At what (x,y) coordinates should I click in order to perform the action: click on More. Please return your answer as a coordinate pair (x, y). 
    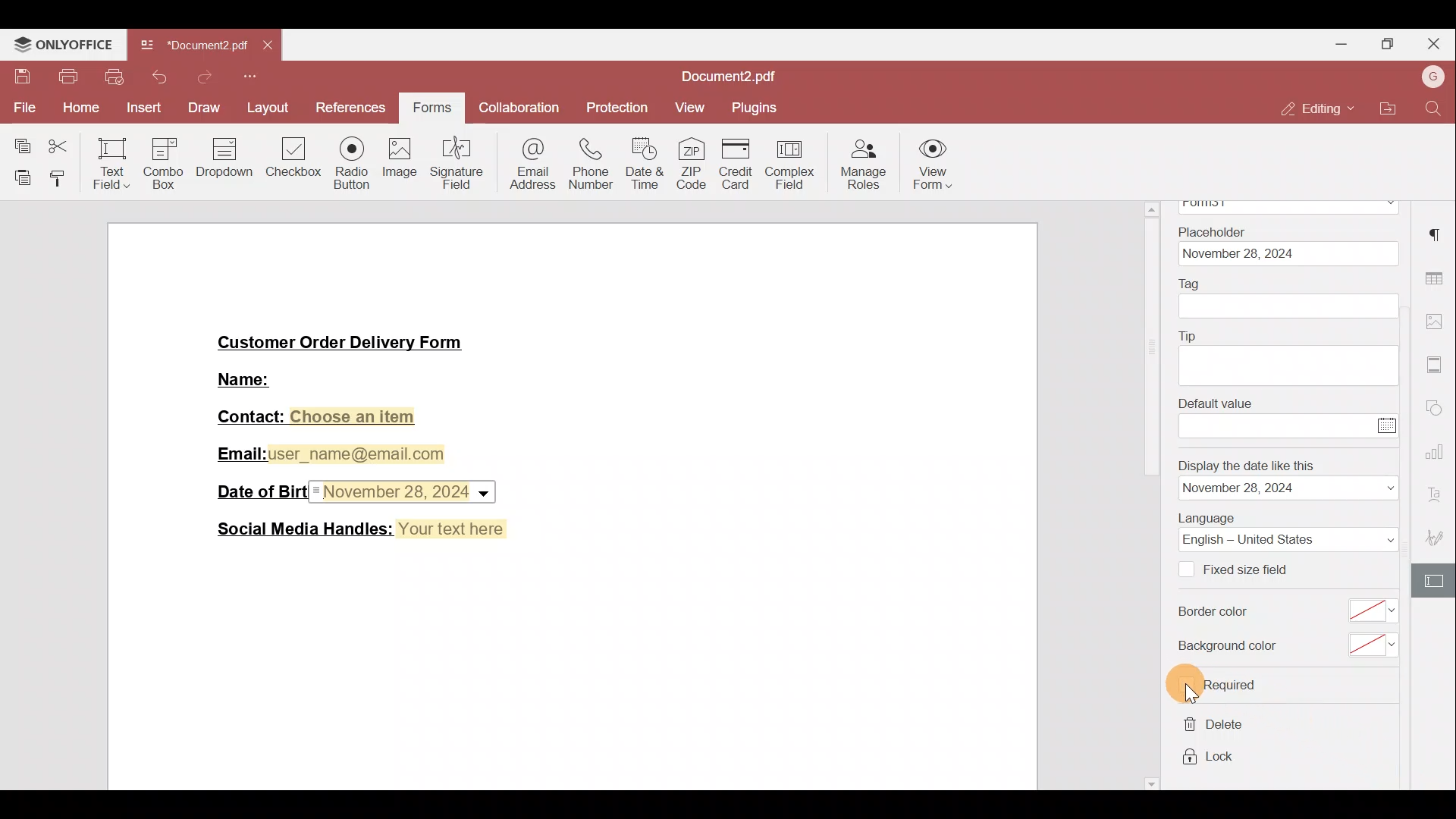
    Looking at the image, I should click on (253, 78).